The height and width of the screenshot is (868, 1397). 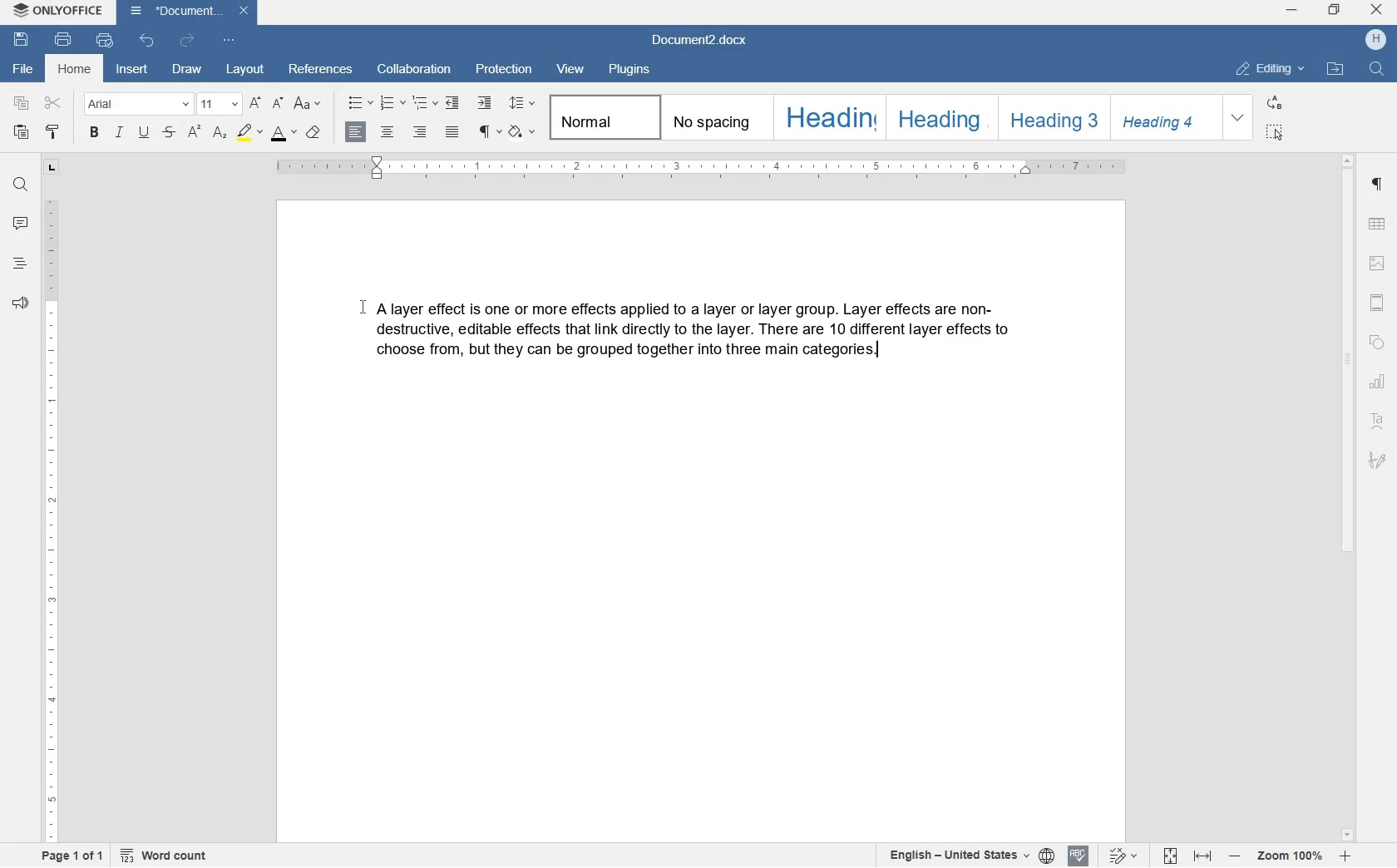 What do you see at coordinates (19, 303) in the screenshot?
I see `feedback & support` at bounding box center [19, 303].